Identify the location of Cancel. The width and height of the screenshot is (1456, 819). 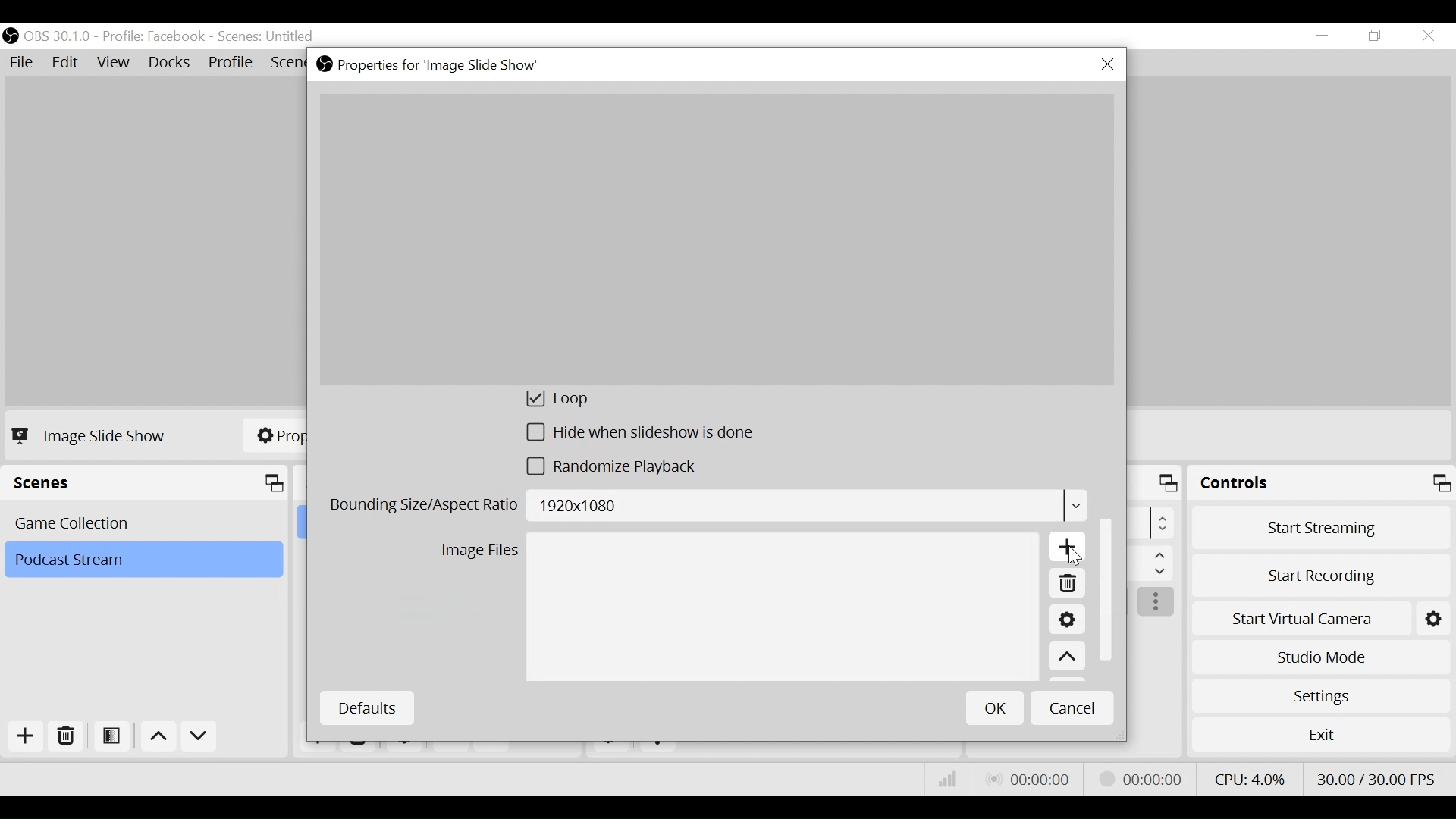
(1072, 707).